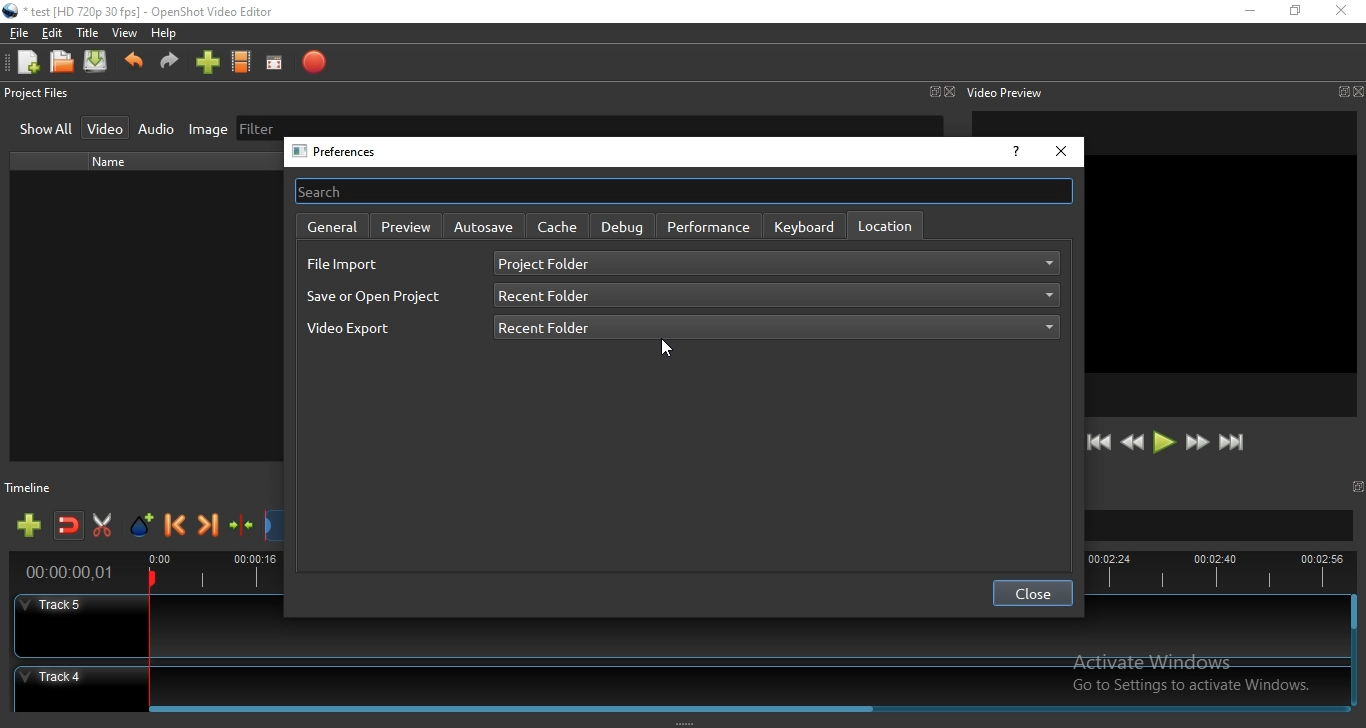 This screenshot has width=1366, height=728. Describe the element at coordinates (107, 127) in the screenshot. I see `Video` at that location.